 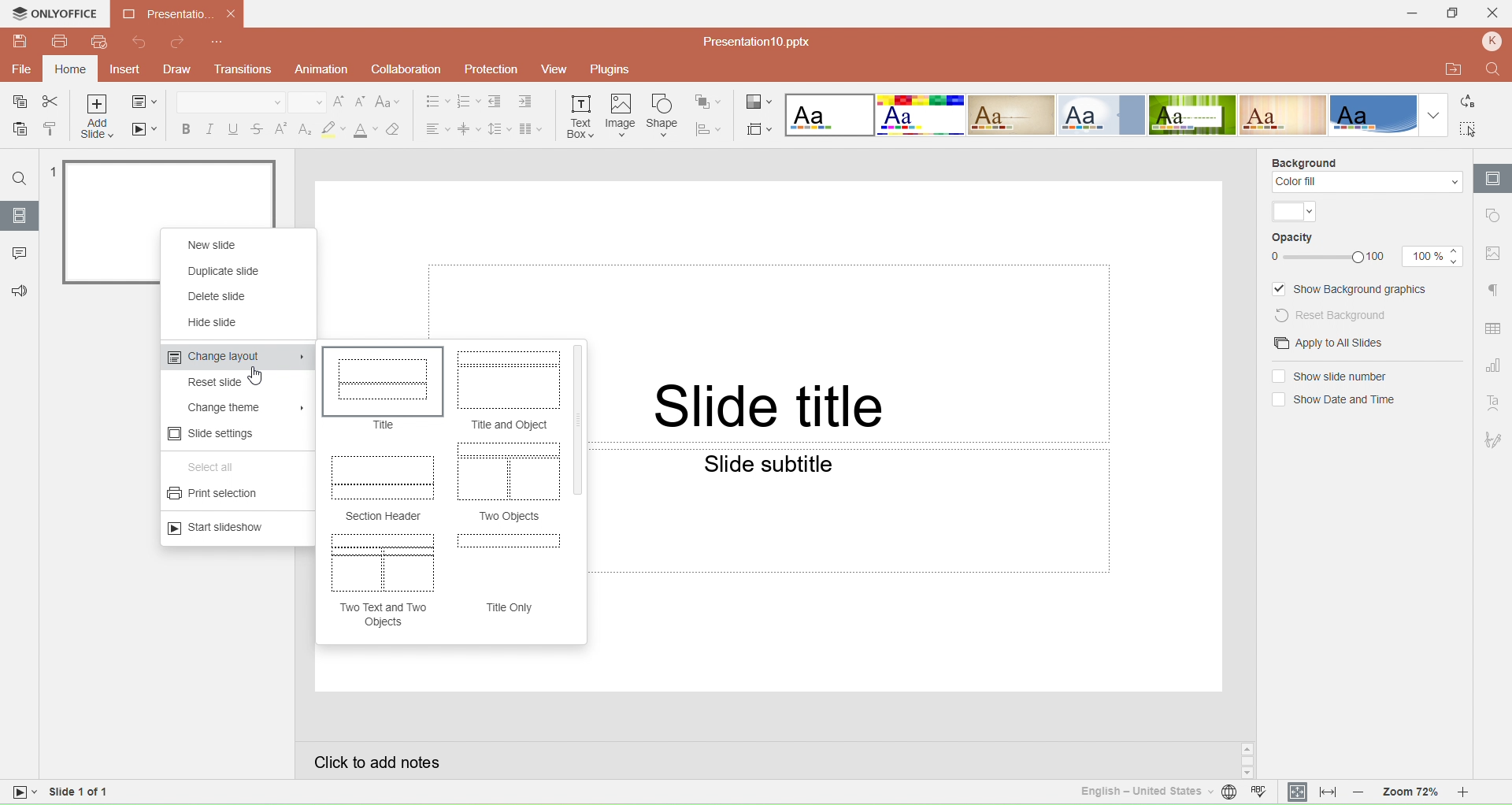 What do you see at coordinates (1494, 329) in the screenshot?
I see `Table setting` at bounding box center [1494, 329].